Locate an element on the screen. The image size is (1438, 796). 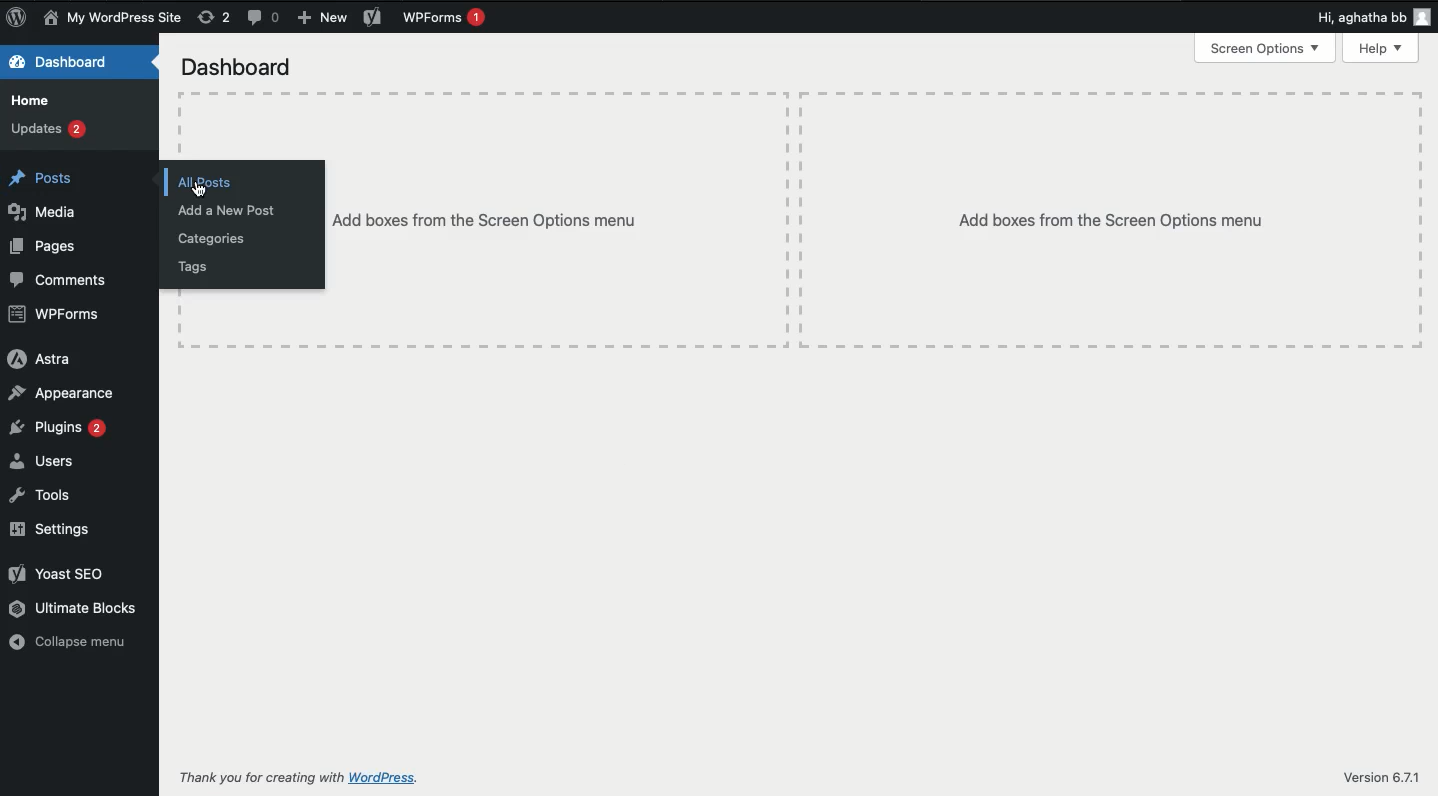
Settings is located at coordinates (49, 530).